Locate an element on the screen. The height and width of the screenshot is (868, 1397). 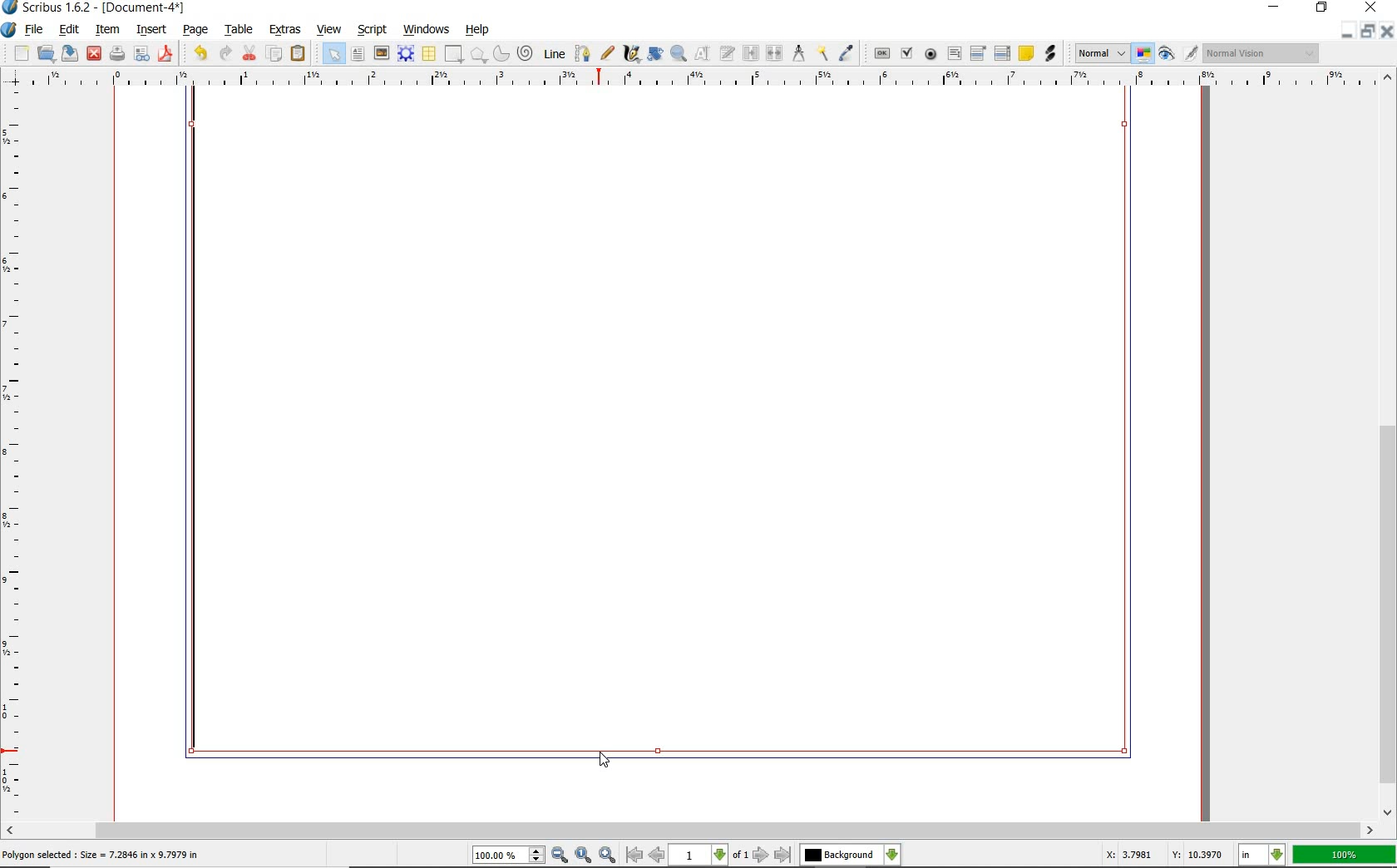
ruler is located at coordinates (15, 457).